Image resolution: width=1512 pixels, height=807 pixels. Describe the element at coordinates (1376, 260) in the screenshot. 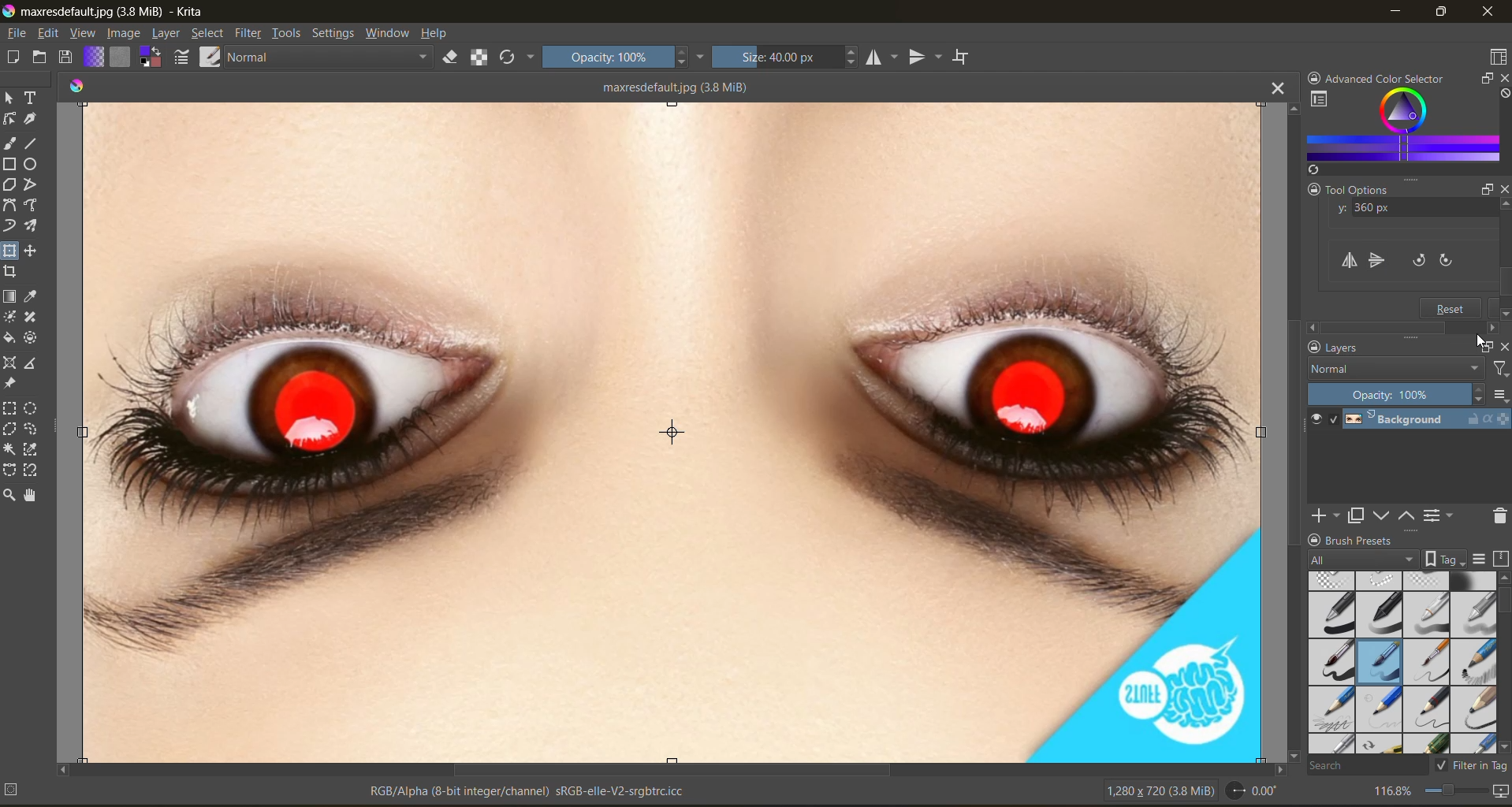

I see `flip vertically` at that location.